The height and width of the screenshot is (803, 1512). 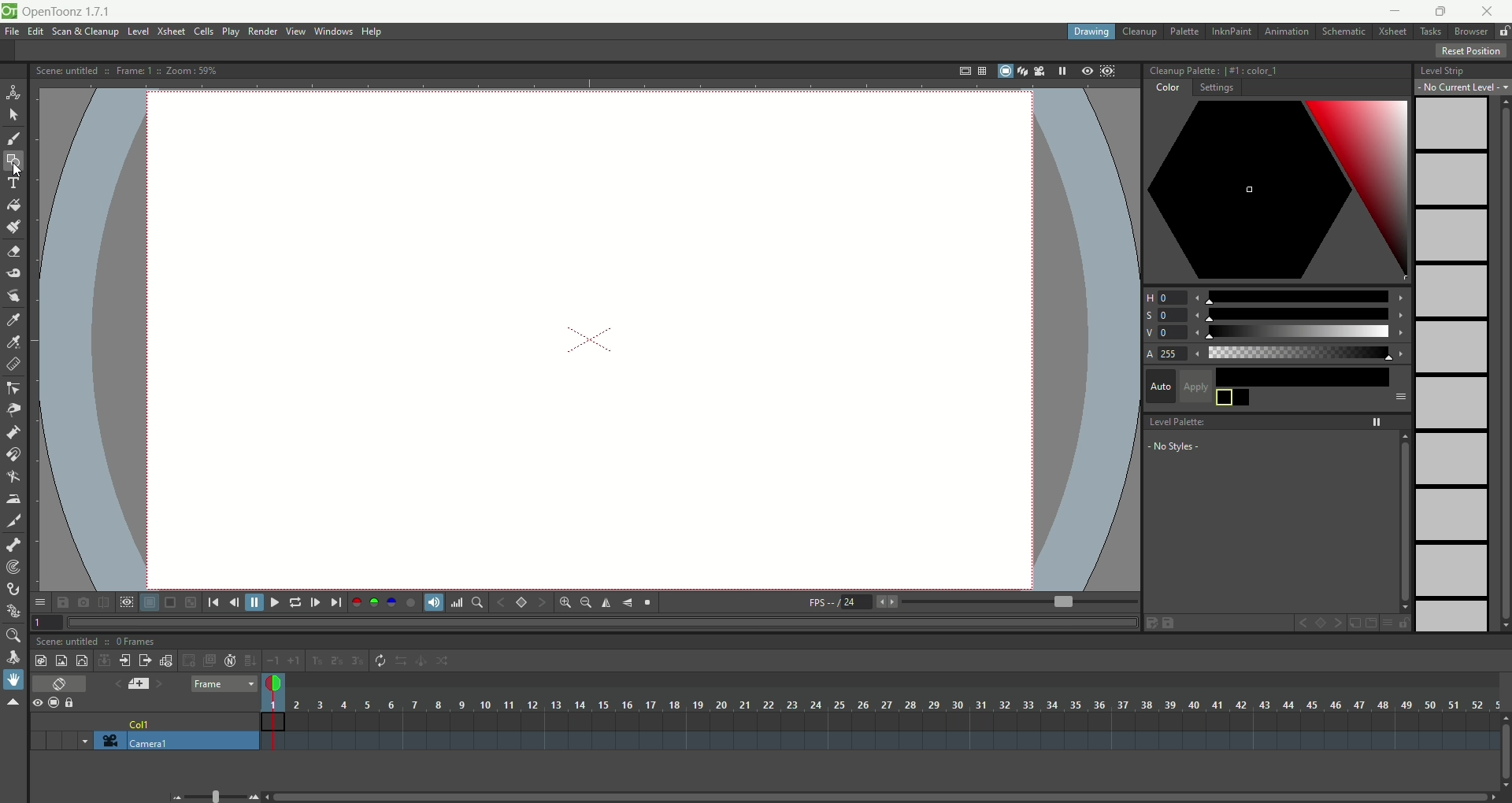 What do you see at coordinates (339, 661) in the screenshot?
I see `reframe on 2's` at bounding box center [339, 661].